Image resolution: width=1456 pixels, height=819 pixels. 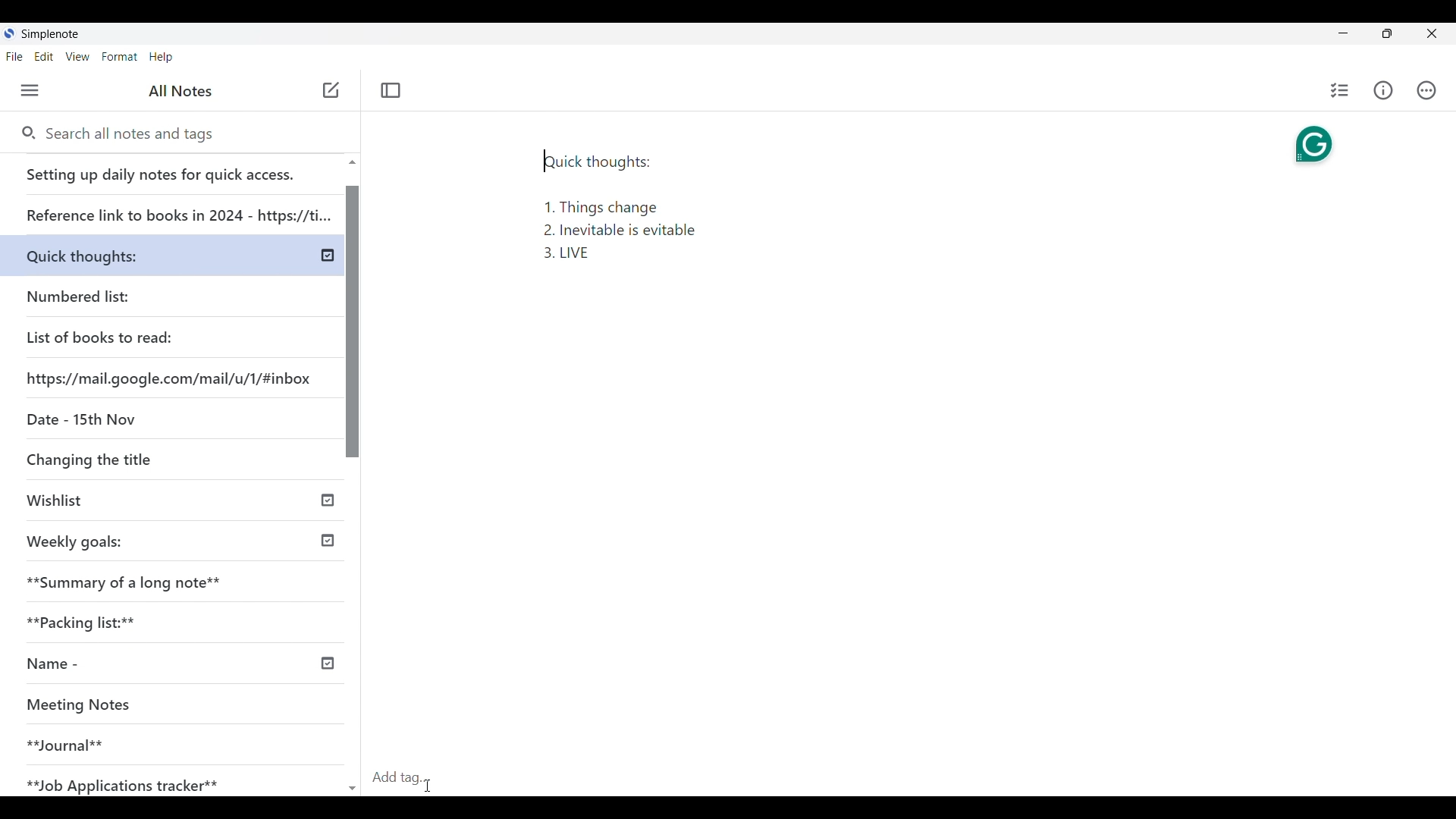 I want to click on published, so click(x=328, y=541).